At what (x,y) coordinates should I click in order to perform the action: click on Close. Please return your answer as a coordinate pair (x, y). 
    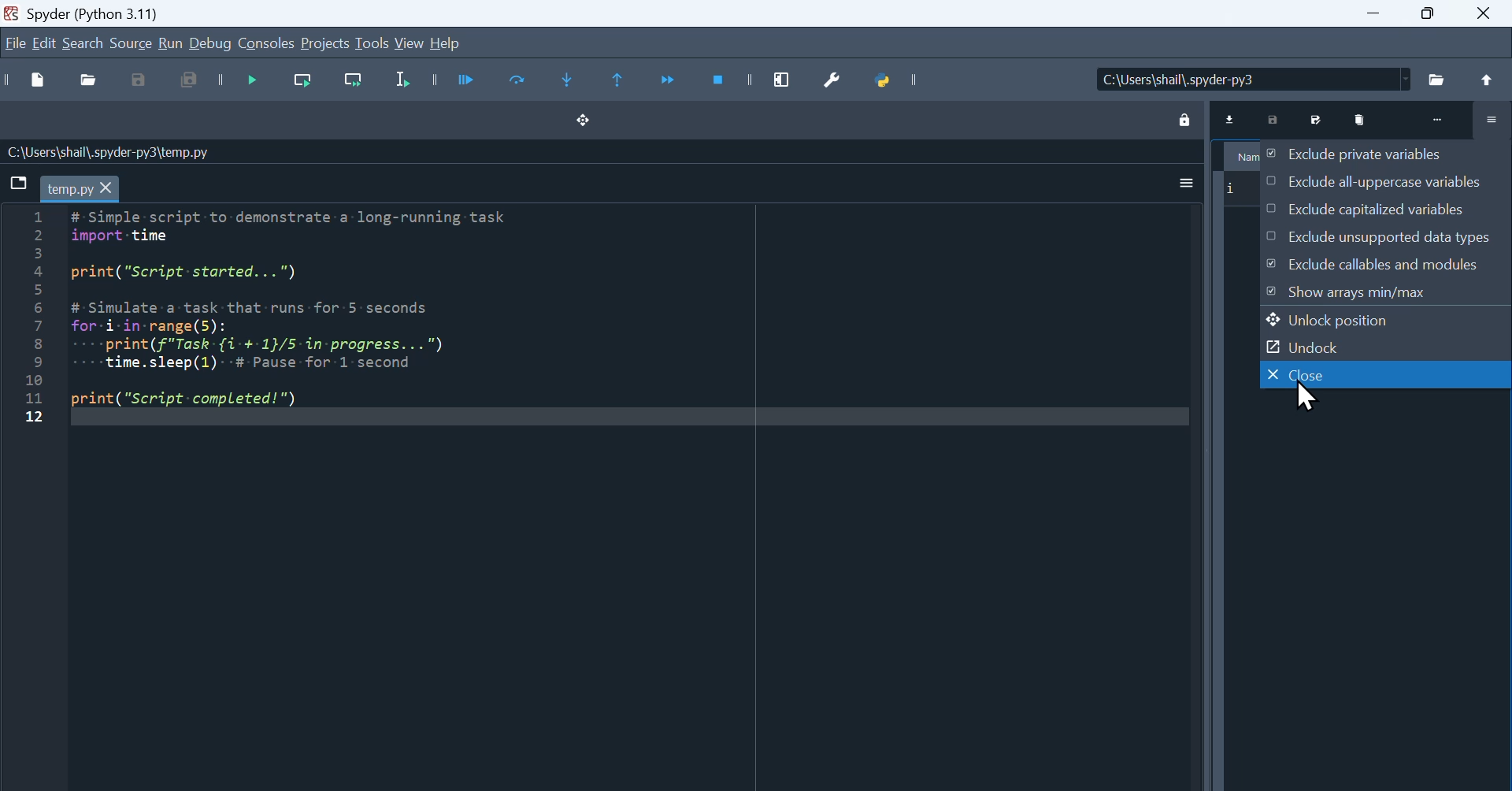
    Looking at the image, I should click on (1386, 374).